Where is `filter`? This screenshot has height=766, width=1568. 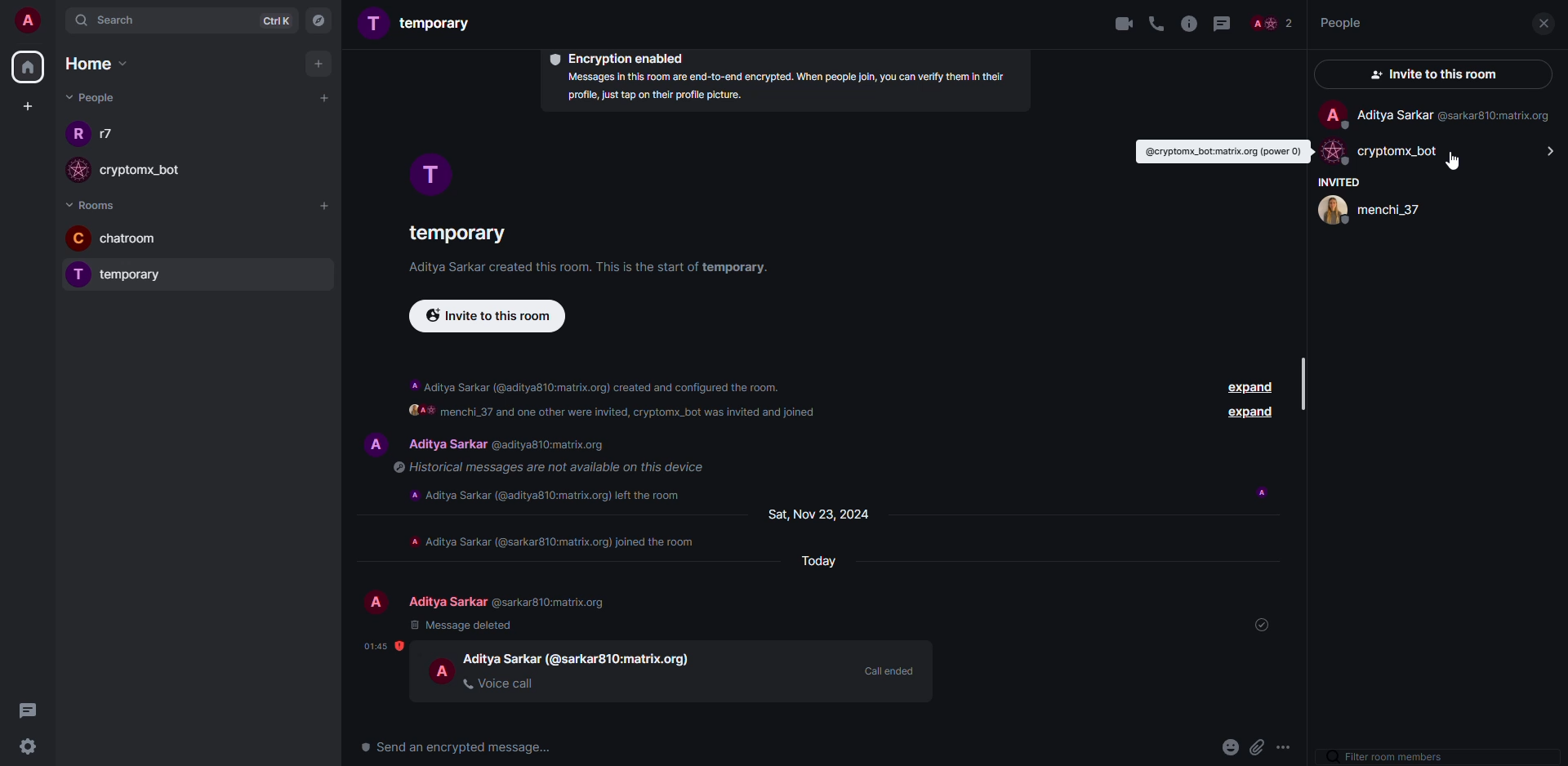
filter is located at coordinates (1388, 757).